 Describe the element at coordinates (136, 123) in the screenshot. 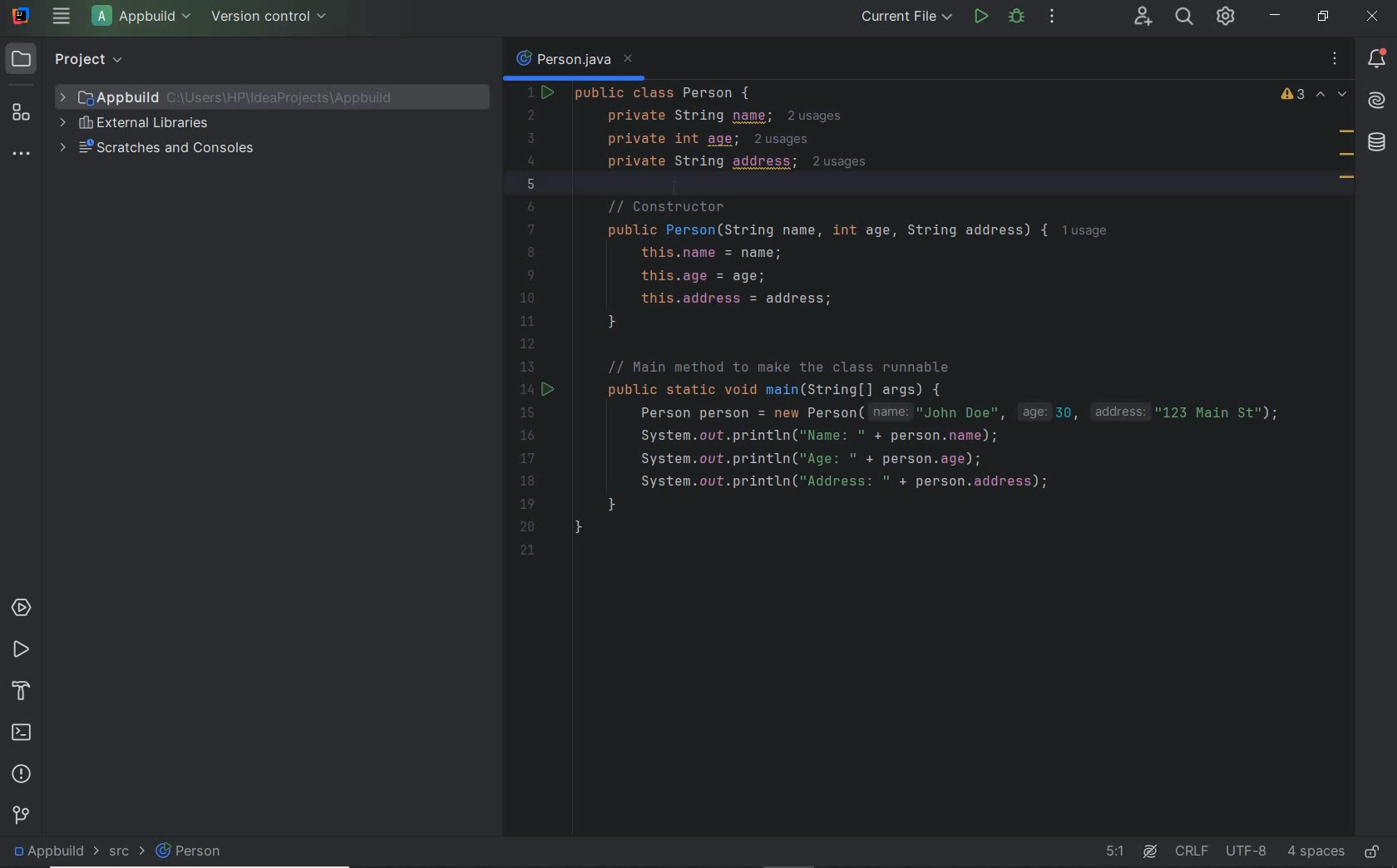

I see `external libraries` at that location.